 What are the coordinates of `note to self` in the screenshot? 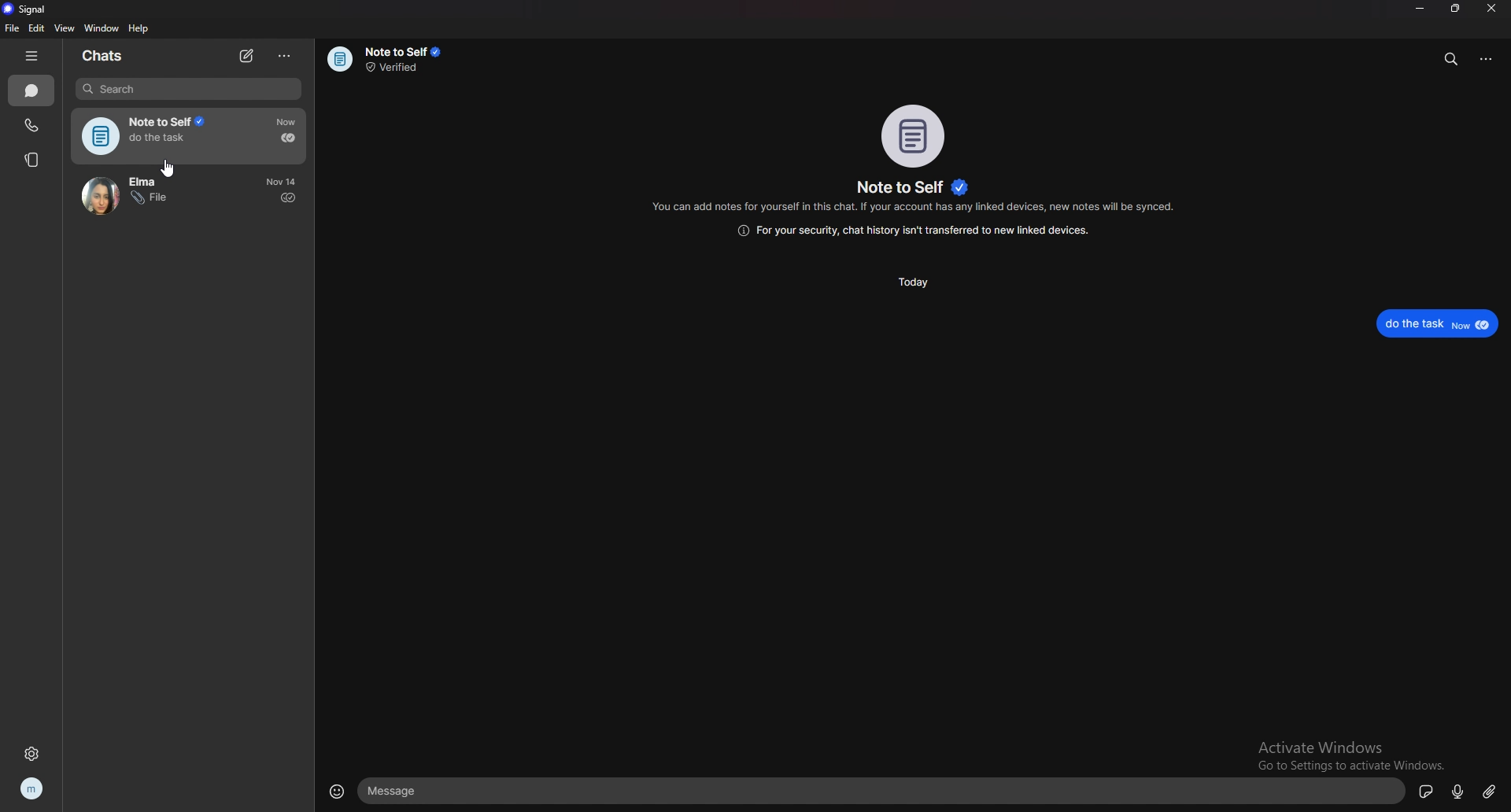 It's located at (155, 135).